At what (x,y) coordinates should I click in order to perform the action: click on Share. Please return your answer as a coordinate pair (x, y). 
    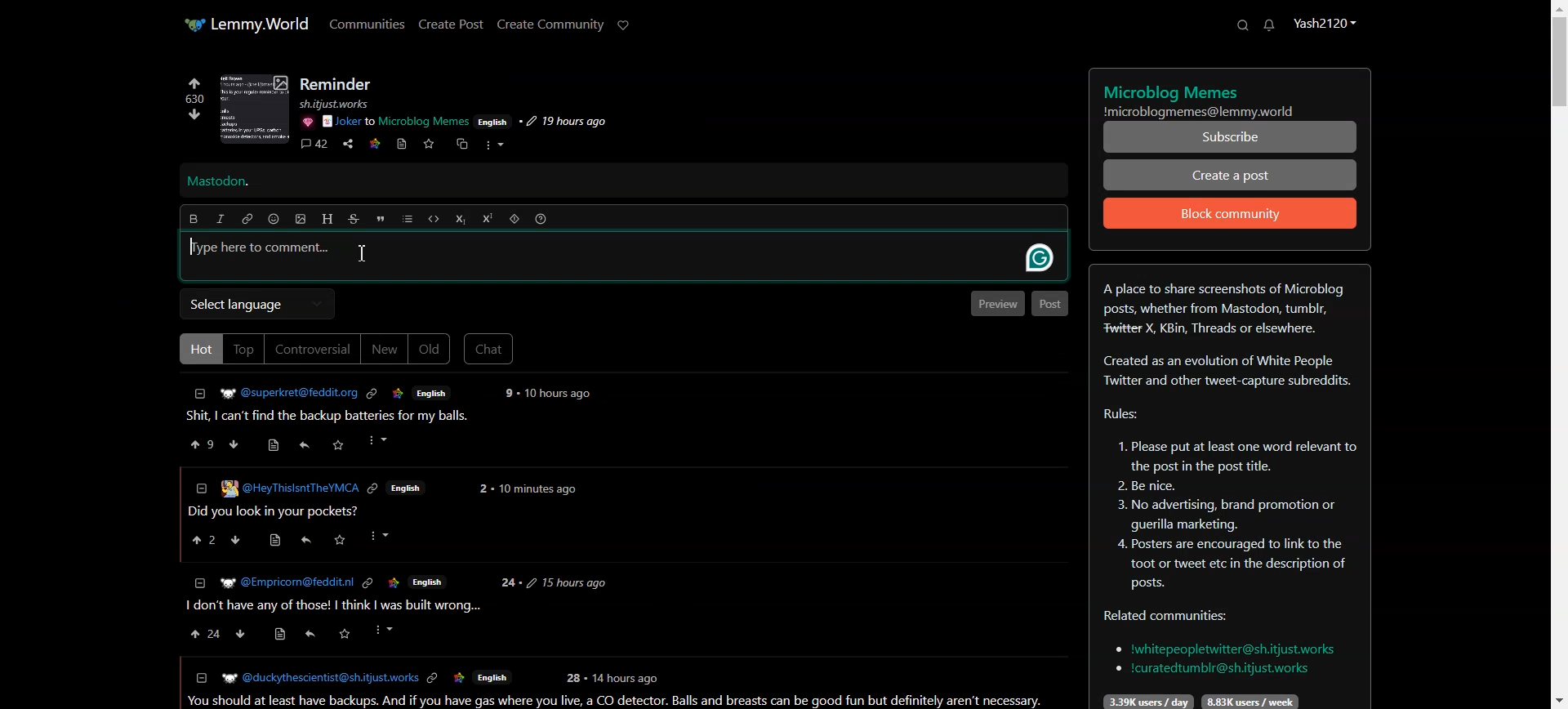
    Looking at the image, I should click on (348, 145).